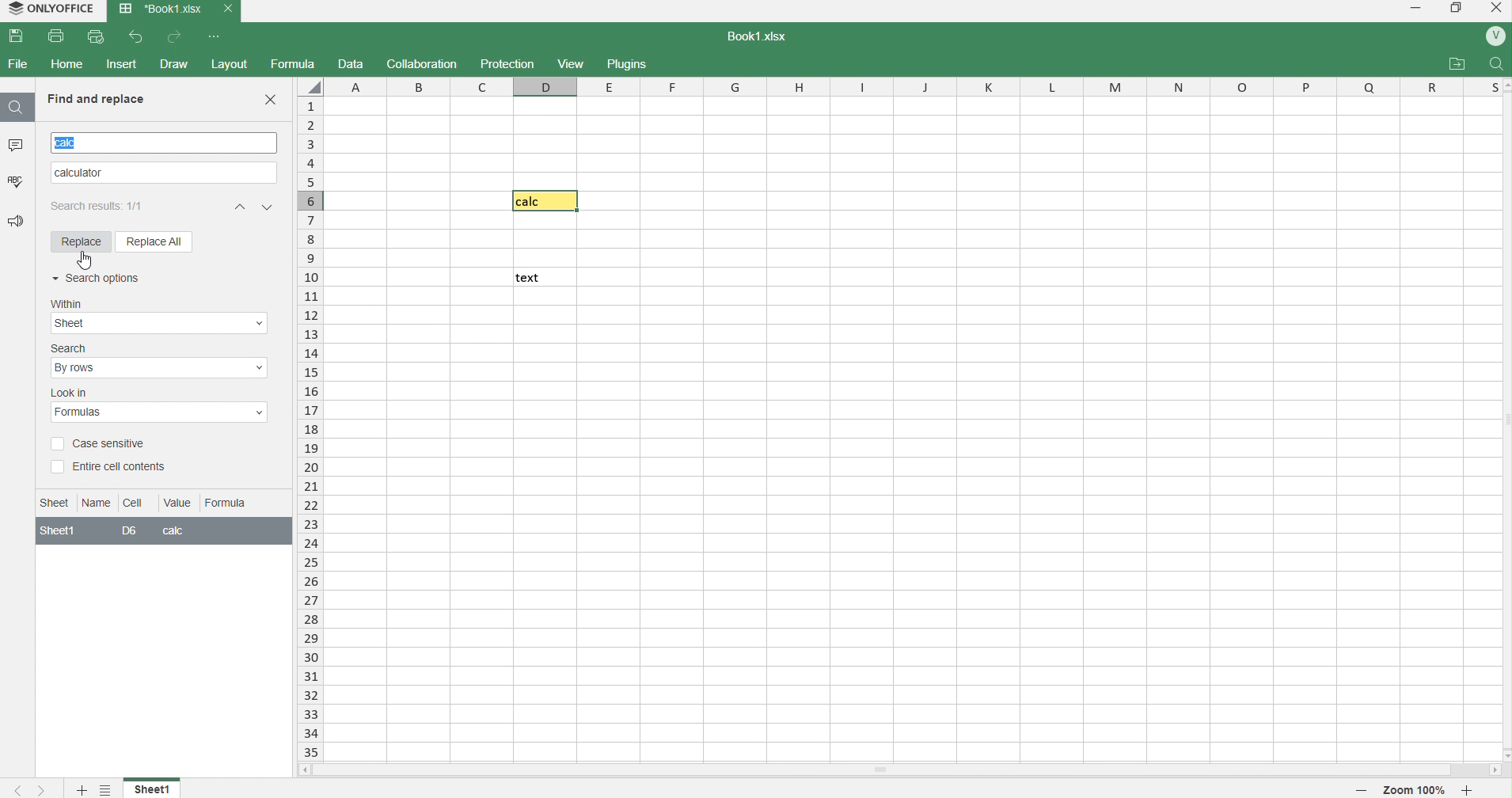 The height and width of the screenshot is (798, 1512). What do you see at coordinates (162, 142) in the screenshot?
I see `searched text calc` at bounding box center [162, 142].